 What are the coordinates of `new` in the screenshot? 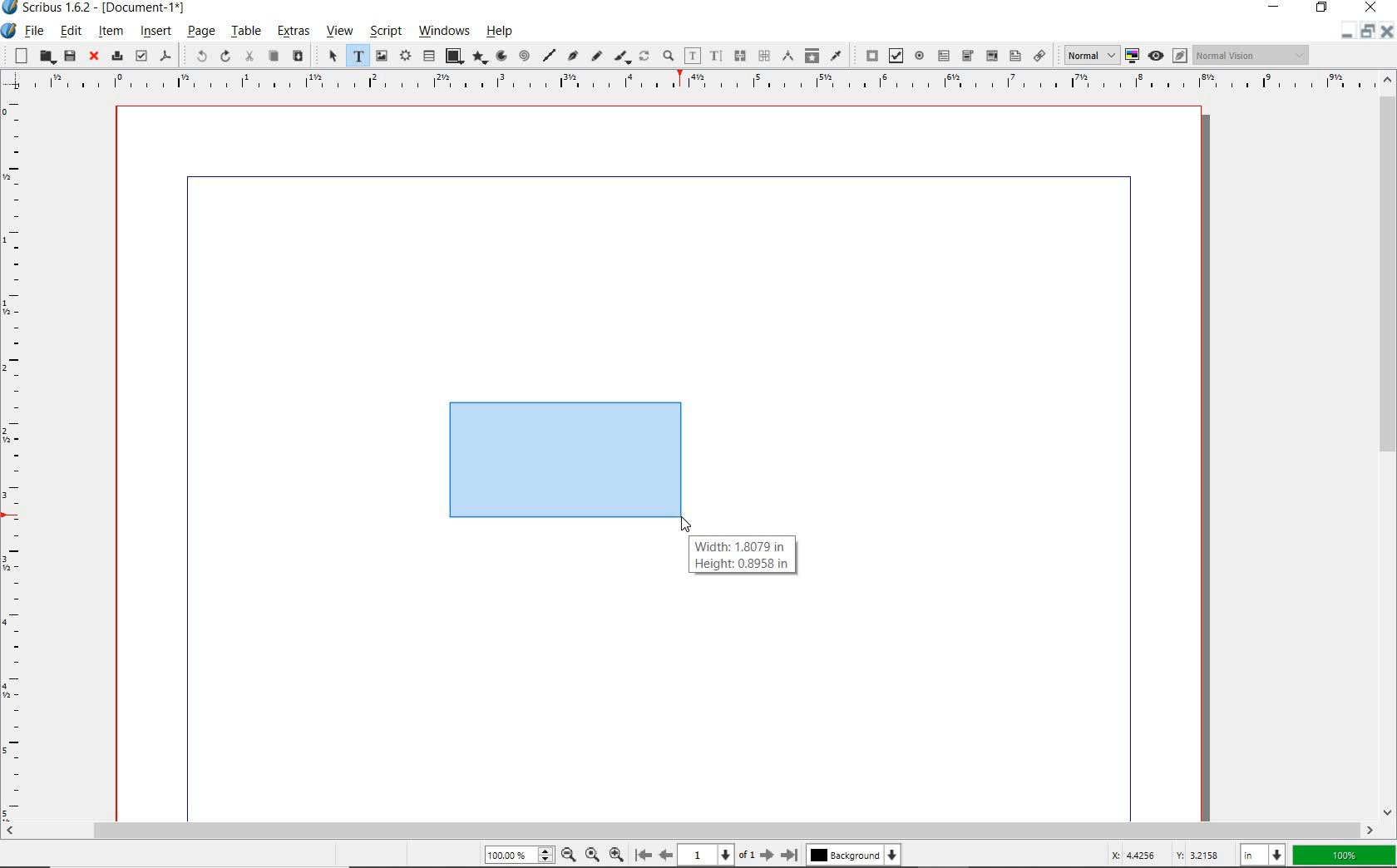 It's located at (21, 55).